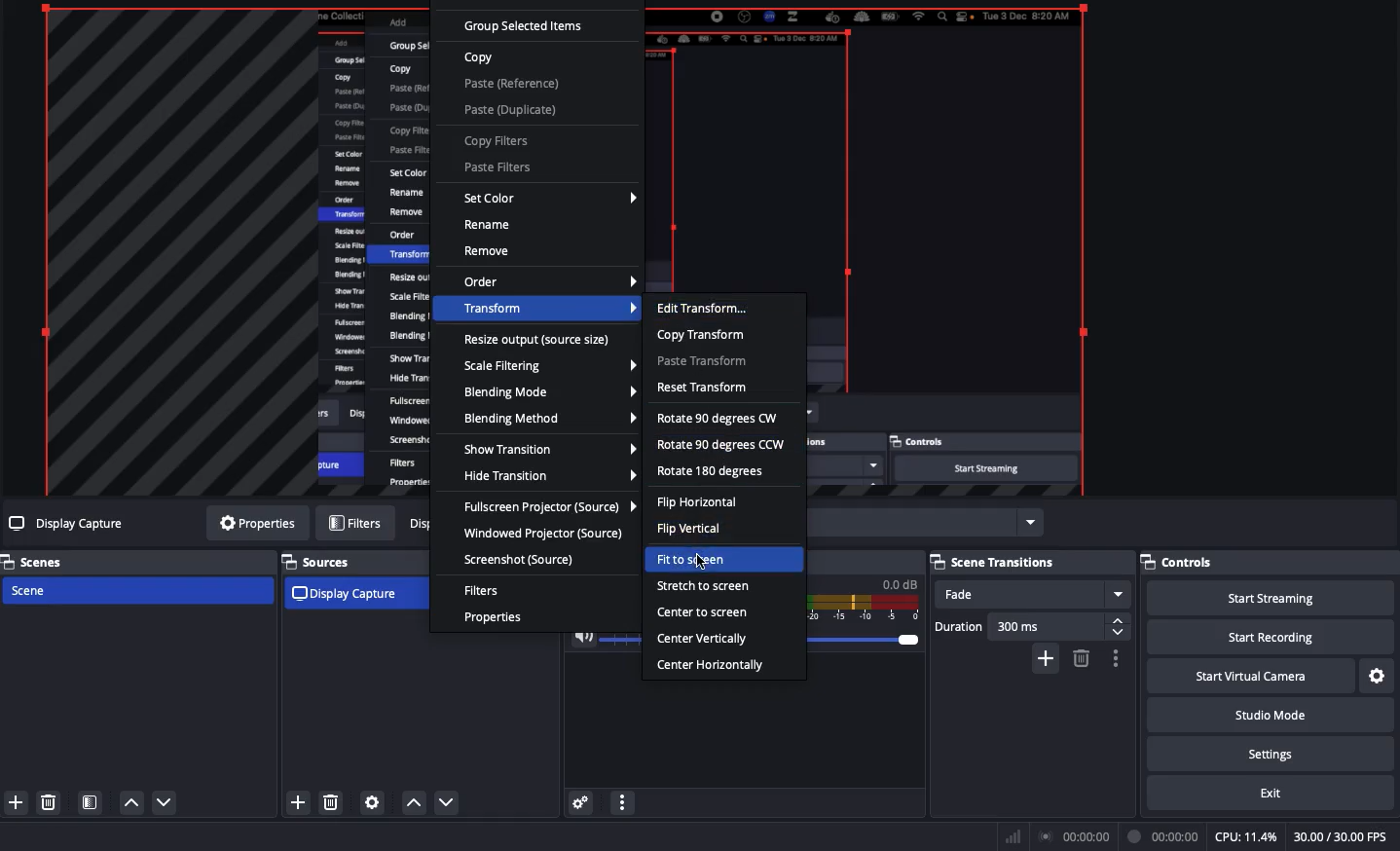  I want to click on Add, so click(18, 803).